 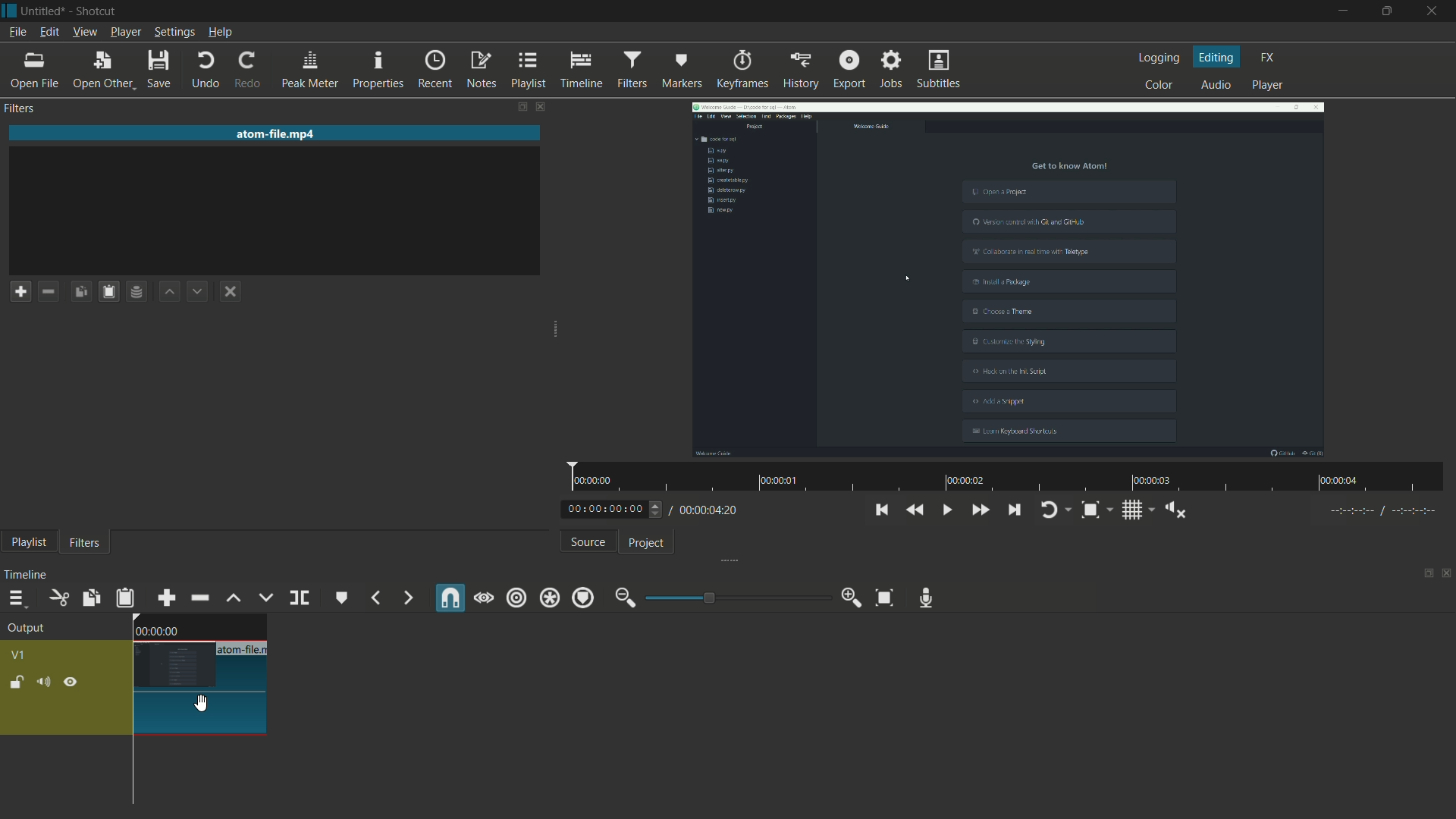 I want to click on move filter up, so click(x=168, y=291).